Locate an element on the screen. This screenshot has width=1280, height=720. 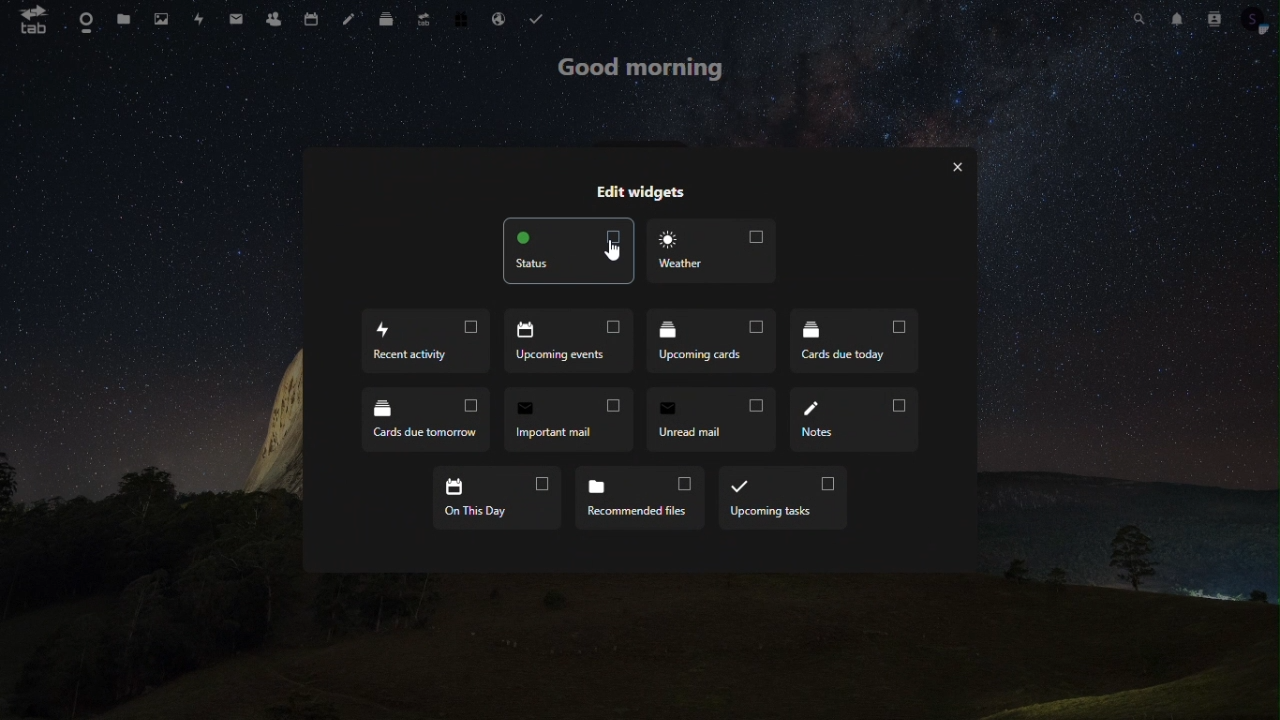
note is located at coordinates (349, 18).